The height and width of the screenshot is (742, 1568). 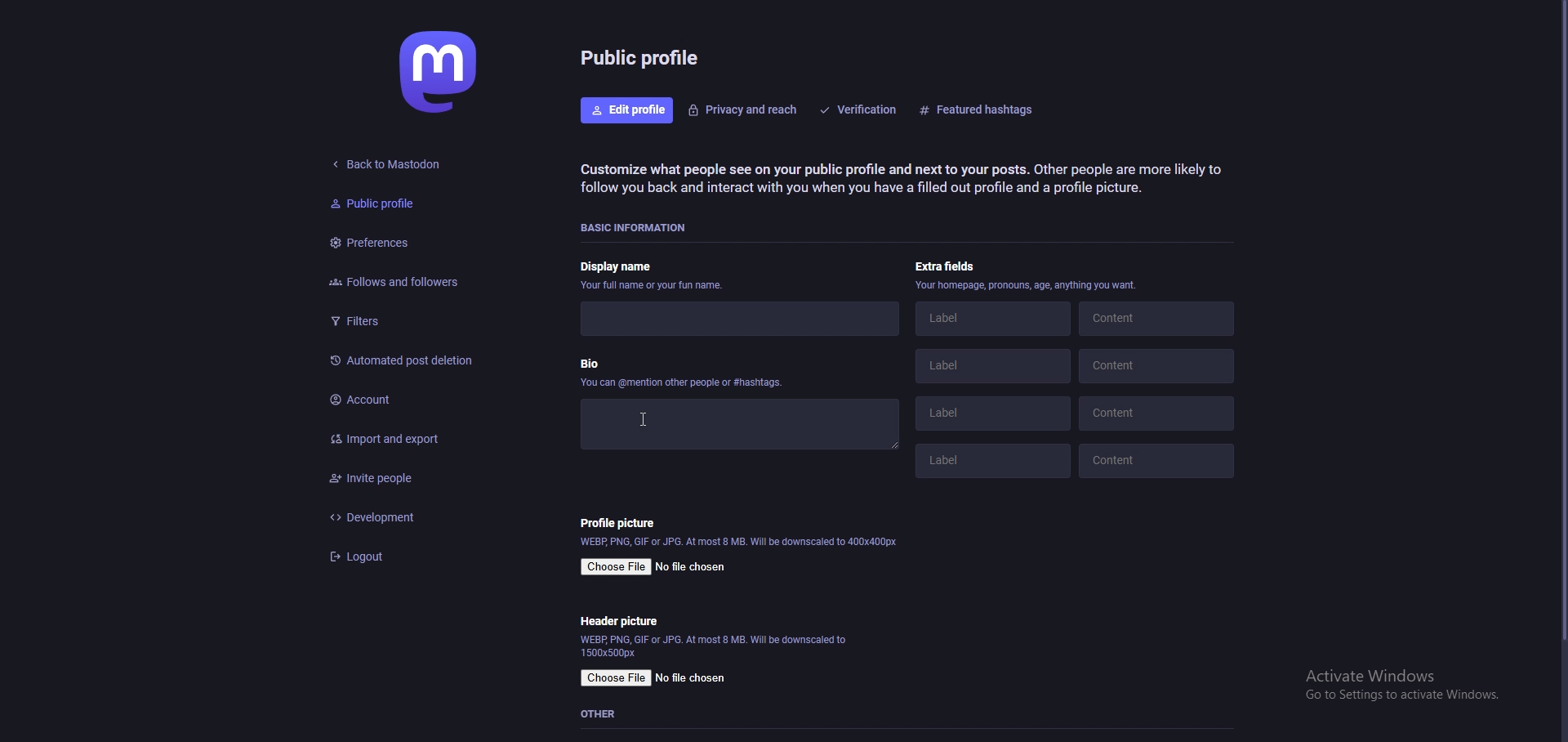 I want to click on content, so click(x=1156, y=366).